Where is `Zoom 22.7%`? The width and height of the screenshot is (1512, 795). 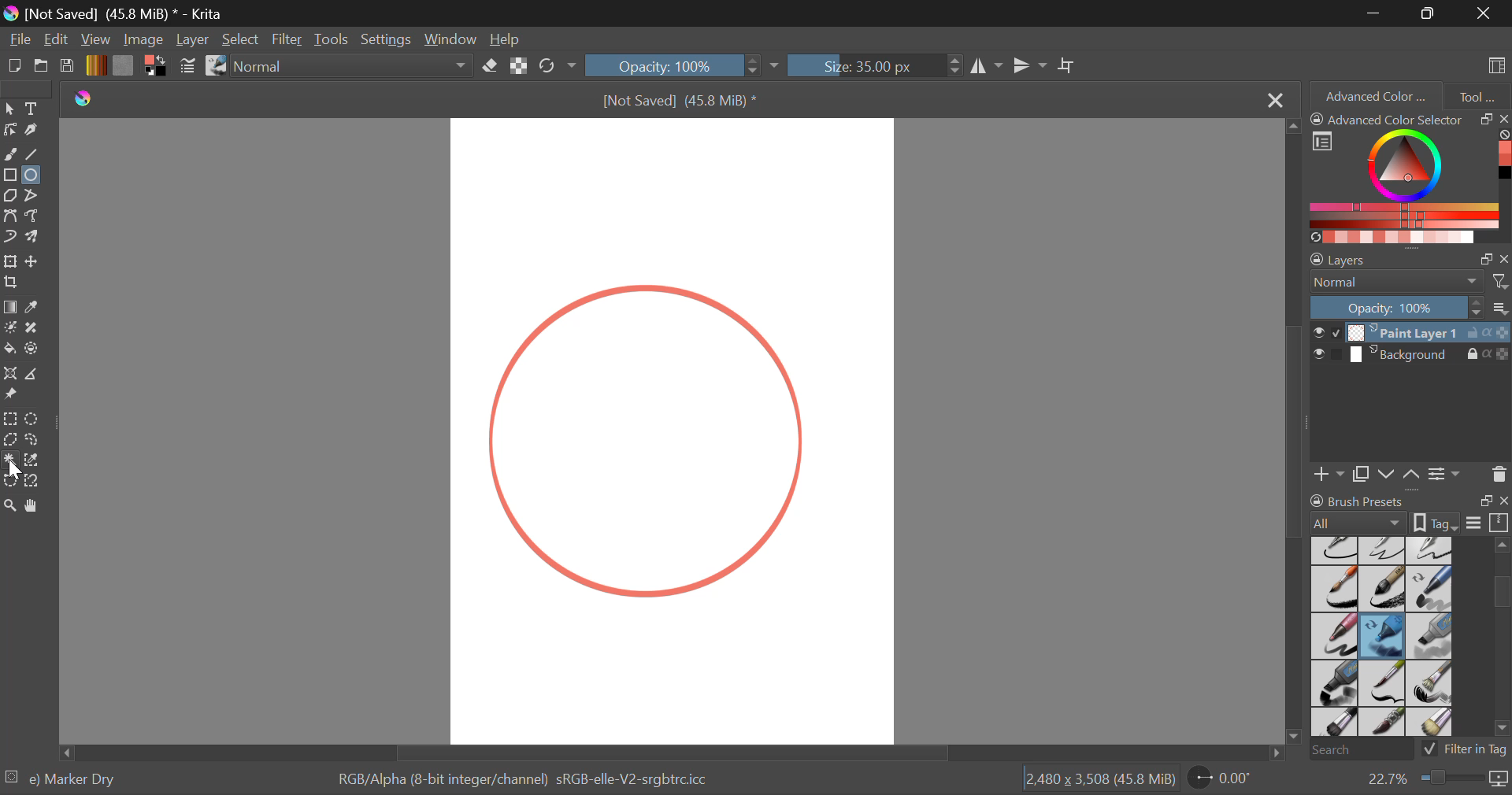
Zoom 22.7% is located at coordinates (1431, 779).